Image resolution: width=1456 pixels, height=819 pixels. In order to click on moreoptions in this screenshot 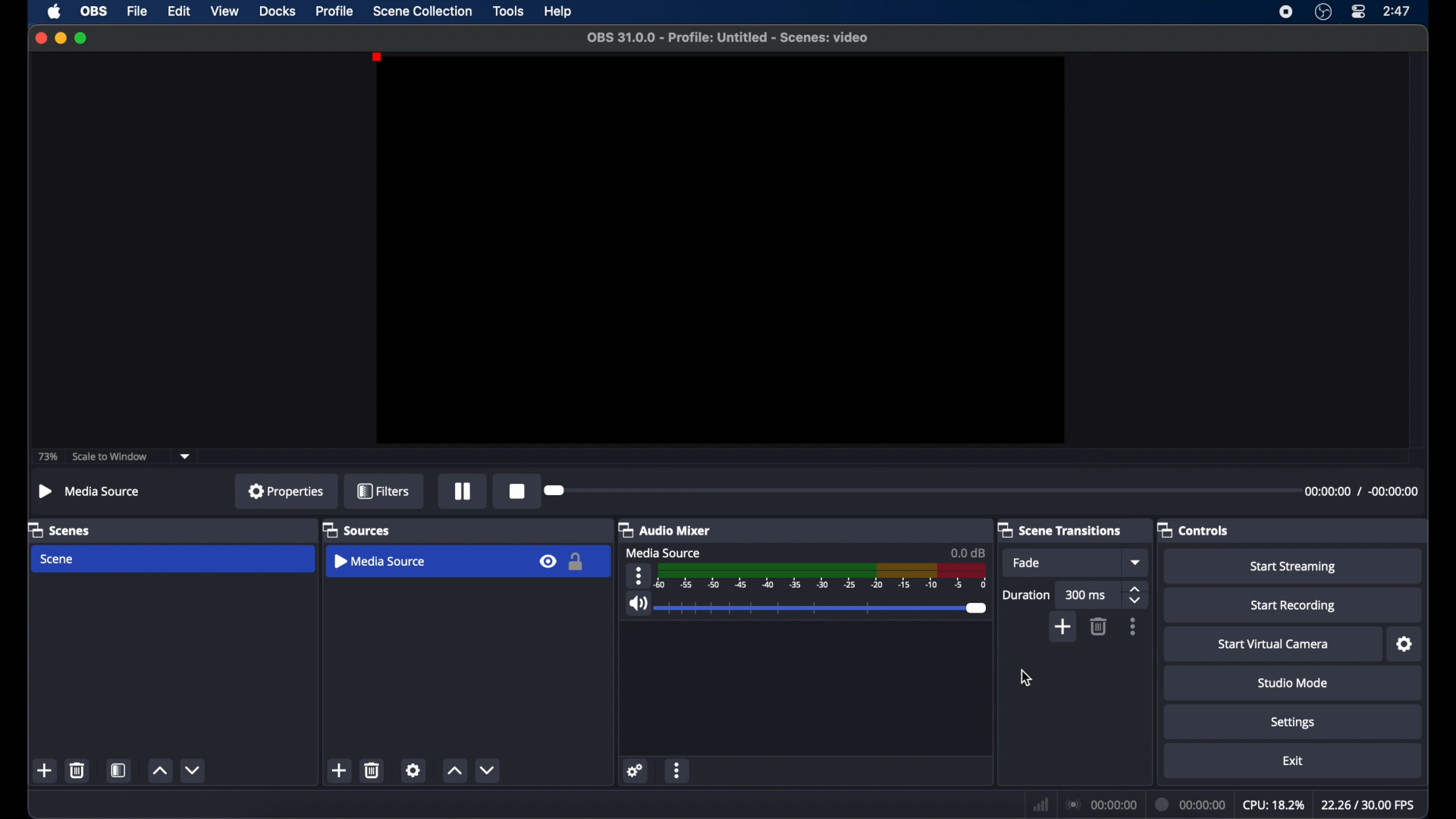, I will do `click(1133, 626)`.